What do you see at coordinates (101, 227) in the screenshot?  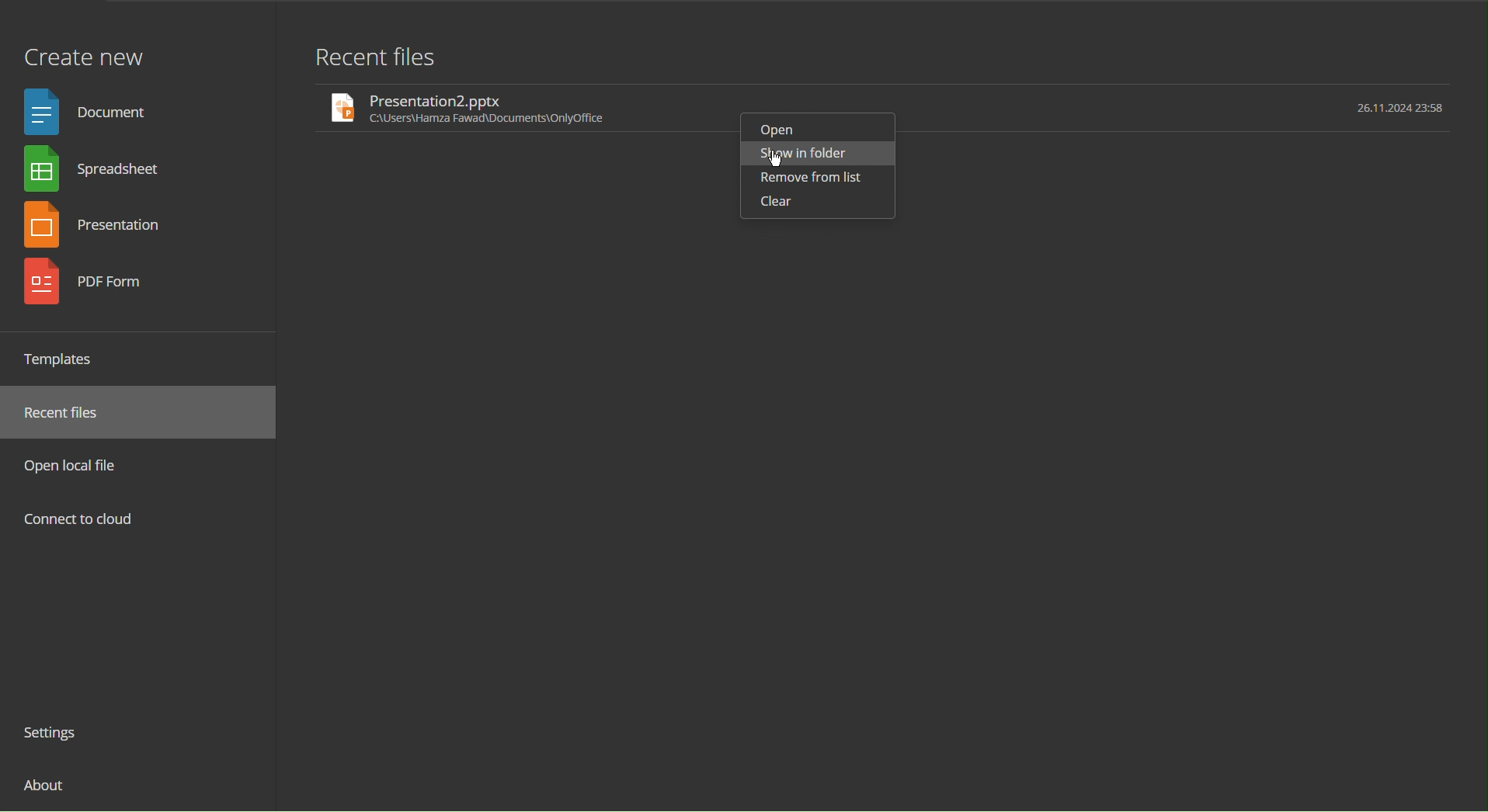 I see `Presentation` at bounding box center [101, 227].